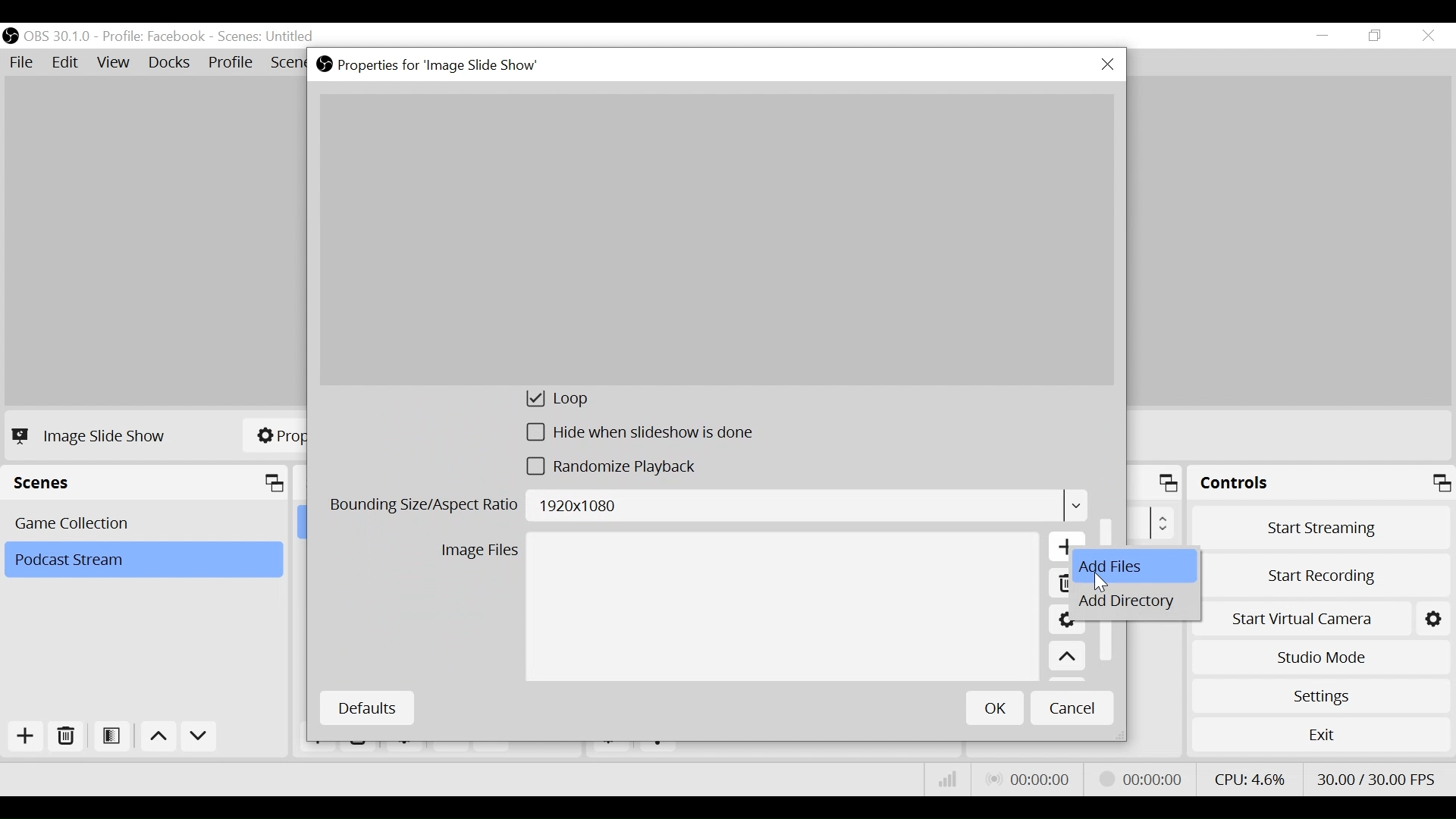 This screenshot has width=1456, height=819. I want to click on Start Streaming, so click(1322, 527).